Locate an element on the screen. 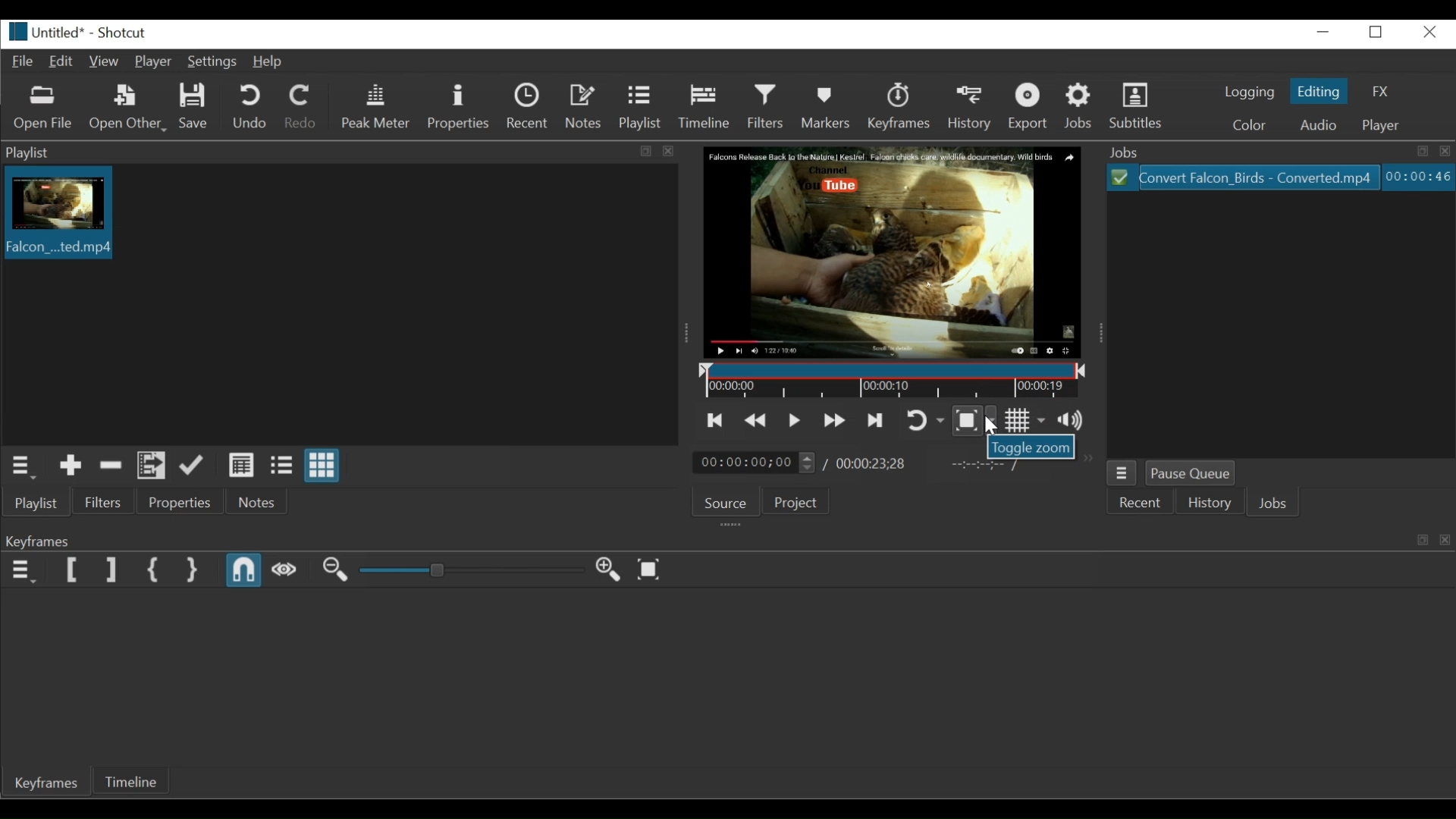  Color is located at coordinates (1249, 125).